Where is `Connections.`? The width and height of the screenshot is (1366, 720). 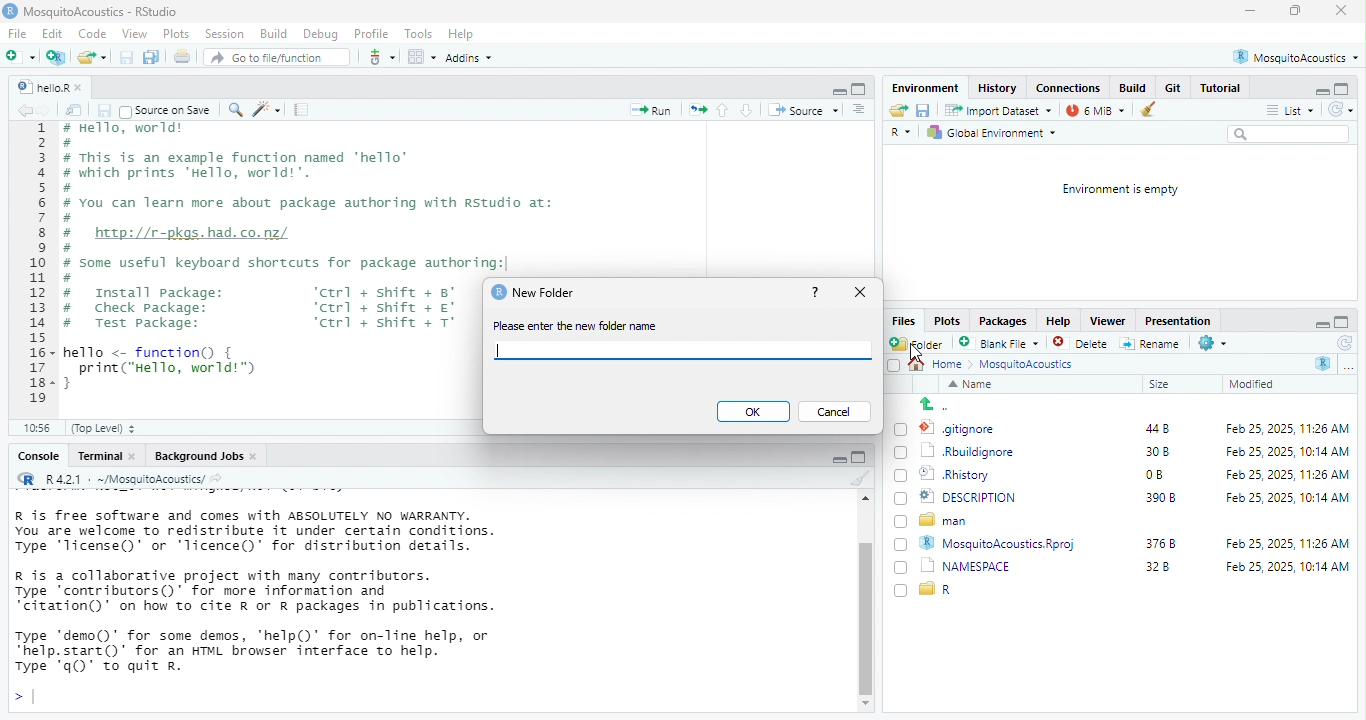
Connections. is located at coordinates (1070, 87).